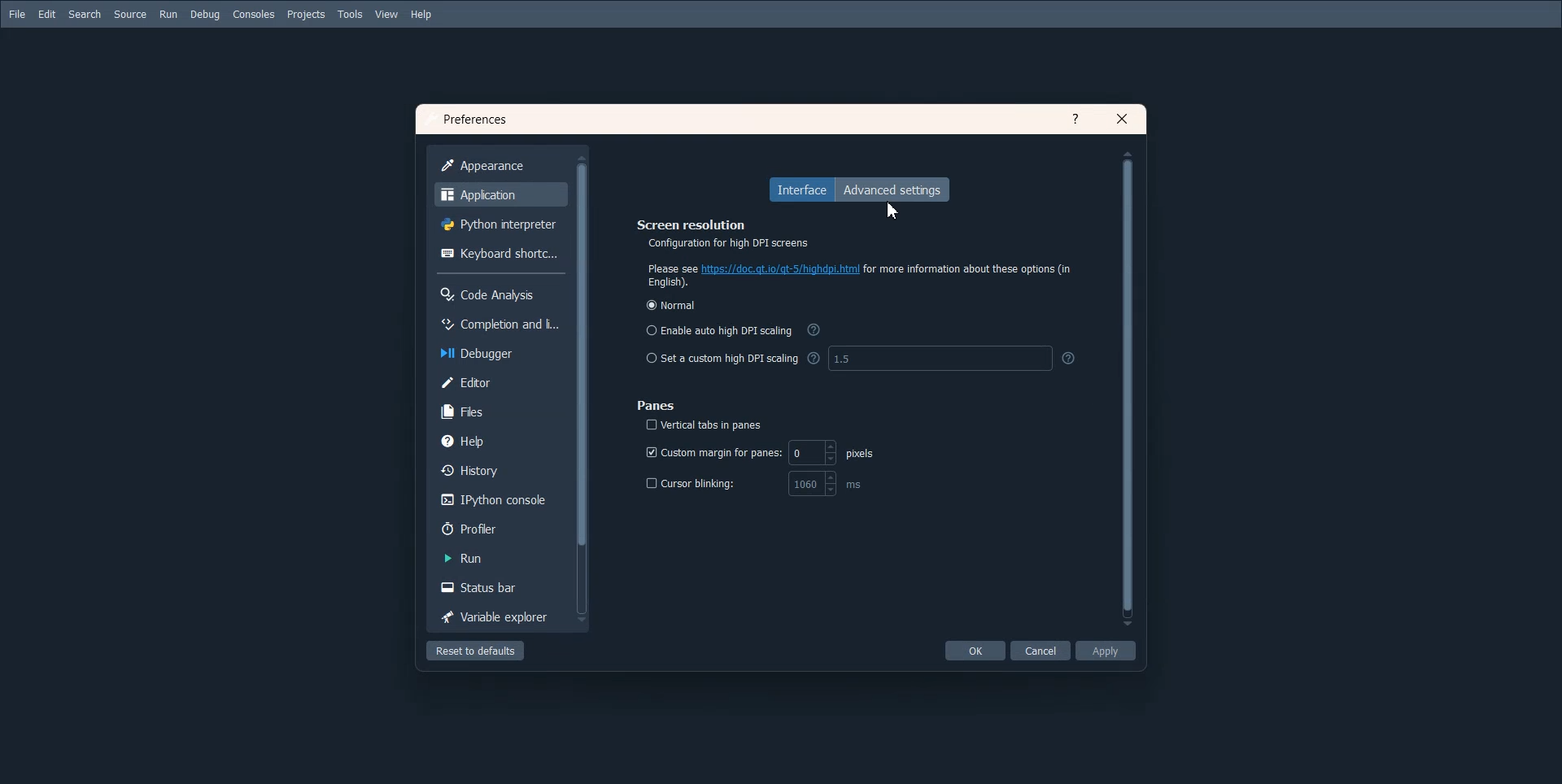 This screenshot has height=784, width=1562. What do you see at coordinates (975, 650) in the screenshot?
I see `OK` at bounding box center [975, 650].